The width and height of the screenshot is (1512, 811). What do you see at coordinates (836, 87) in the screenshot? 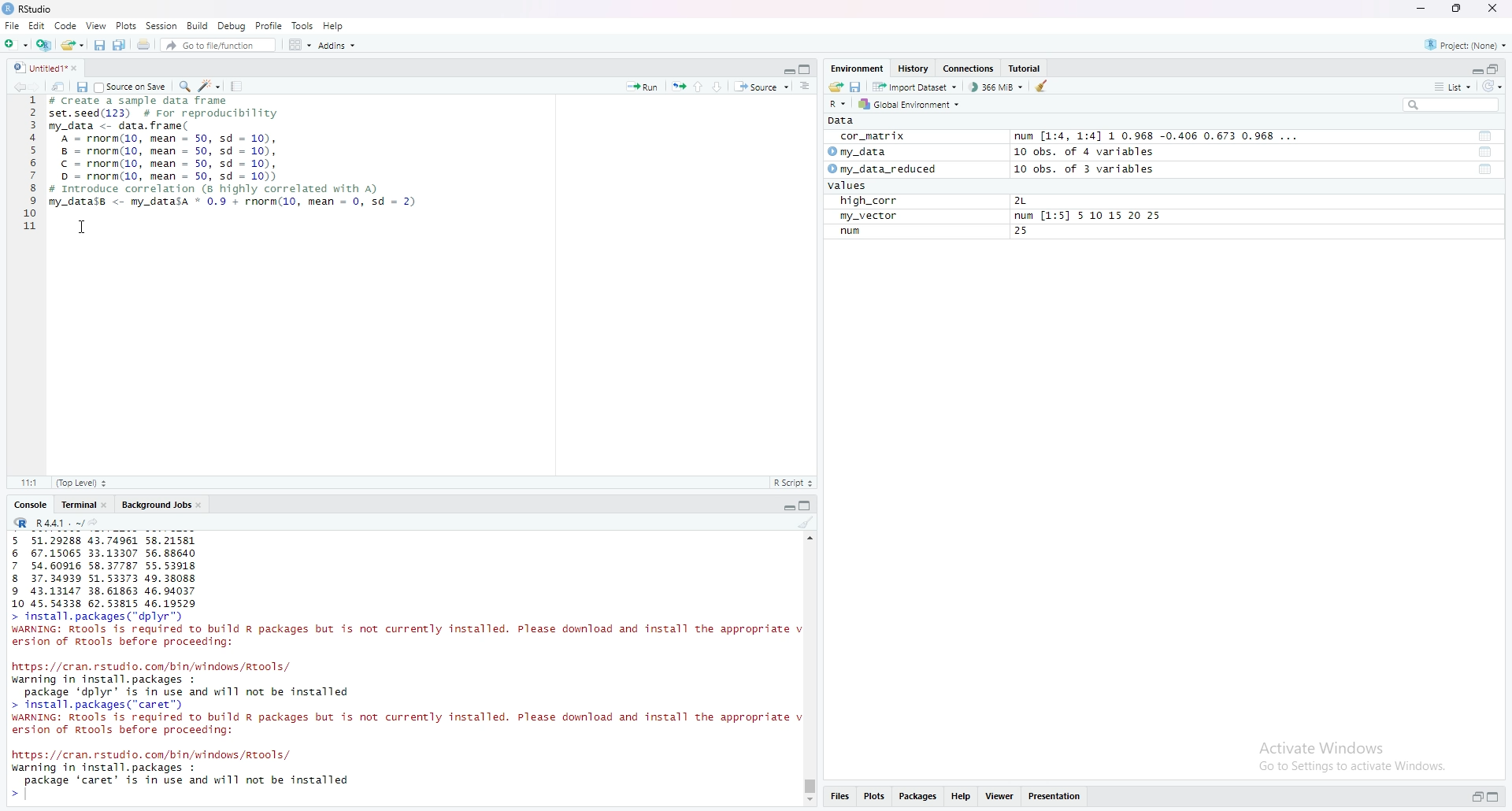
I see `share` at bounding box center [836, 87].